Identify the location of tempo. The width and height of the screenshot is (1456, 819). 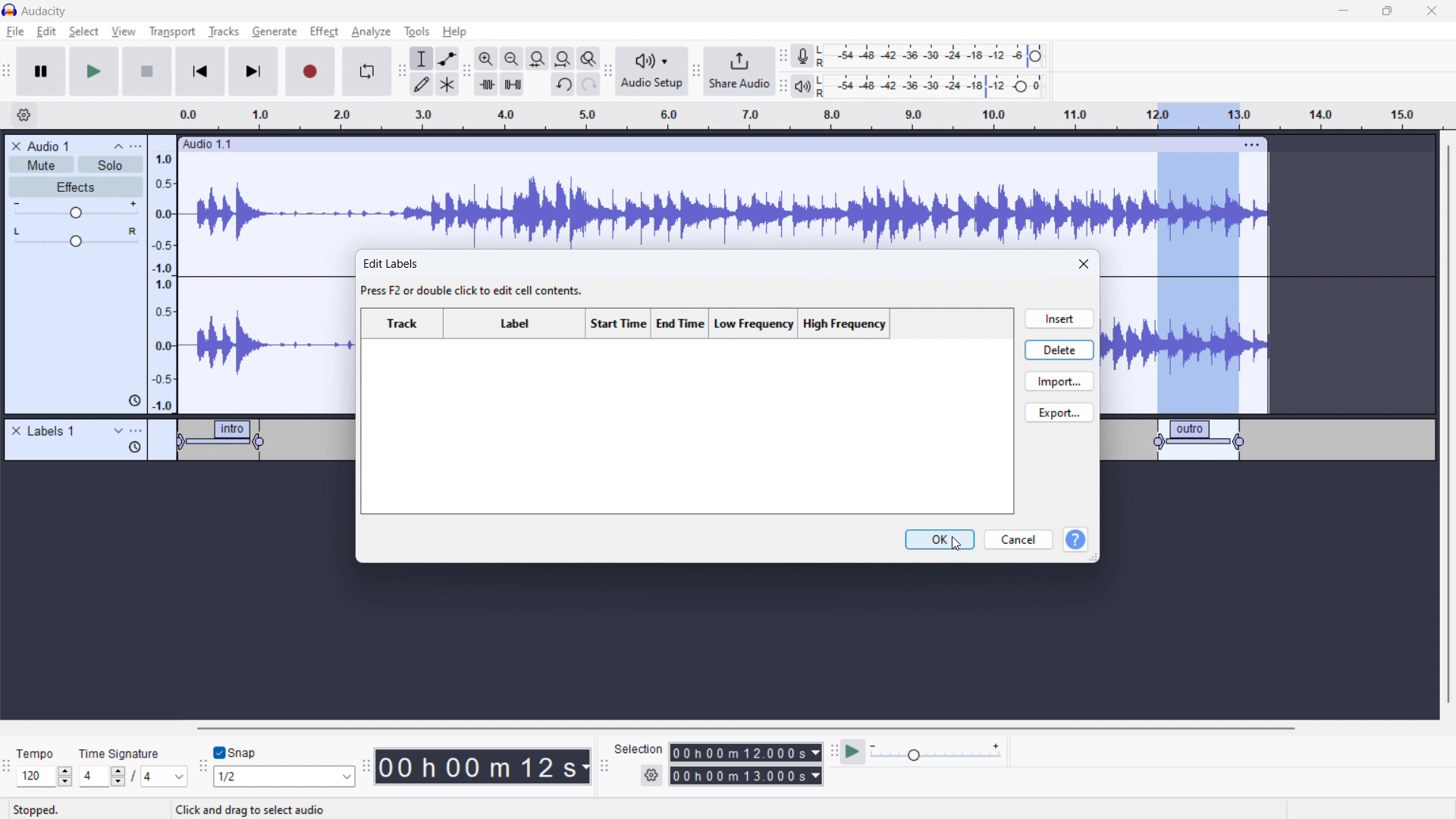
(45, 753).